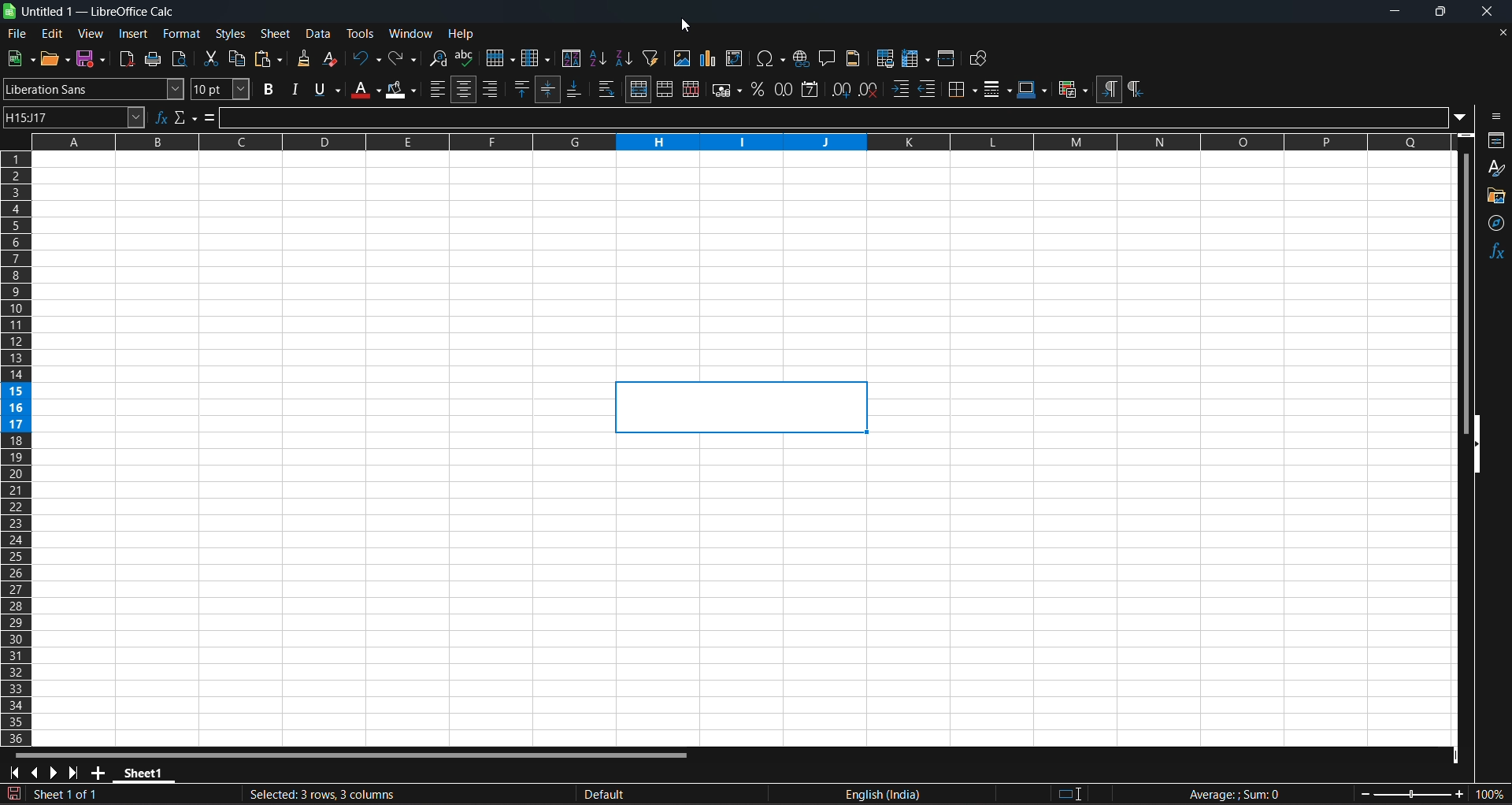 The height and width of the screenshot is (805, 1512). I want to click on new, so click(22, 57).